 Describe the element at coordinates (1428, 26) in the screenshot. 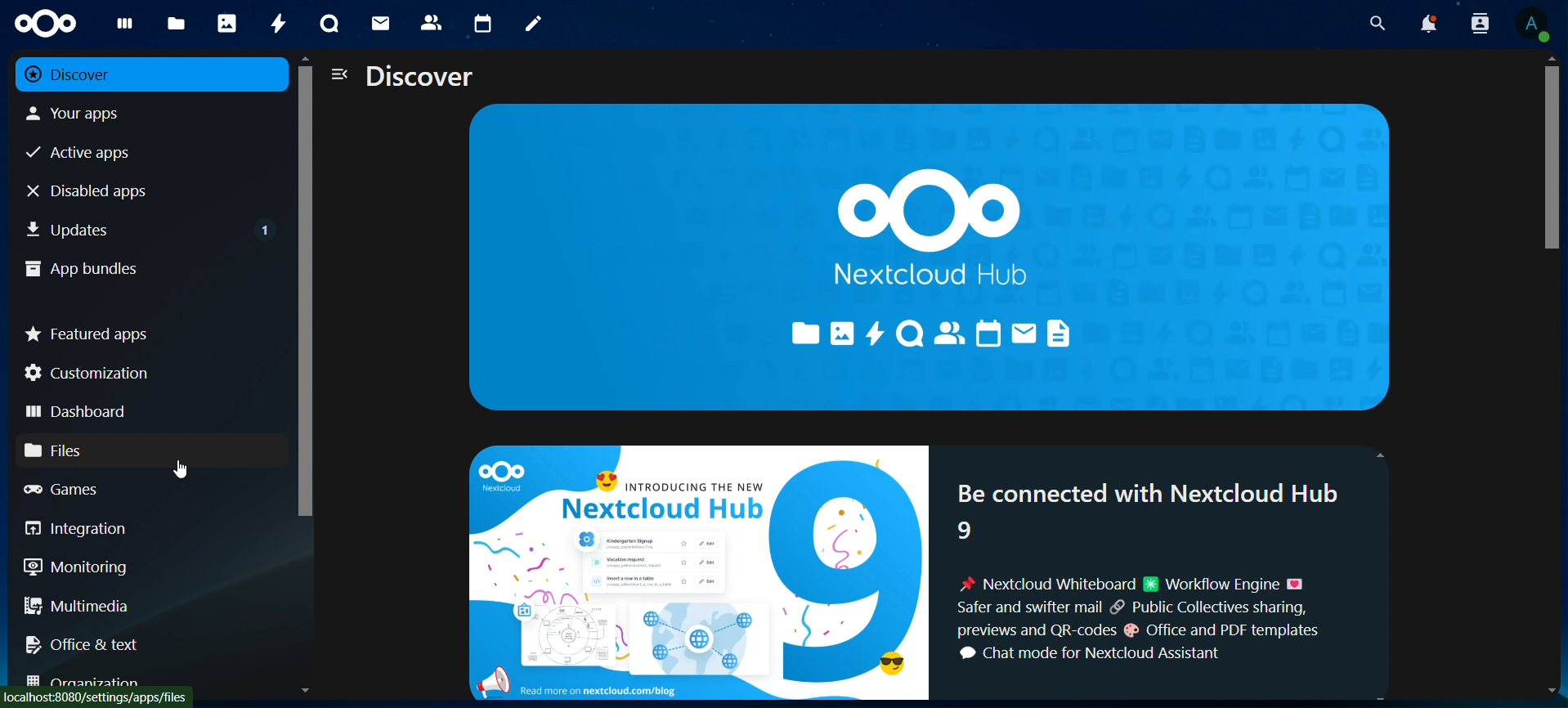

I see `notifications` at that location.